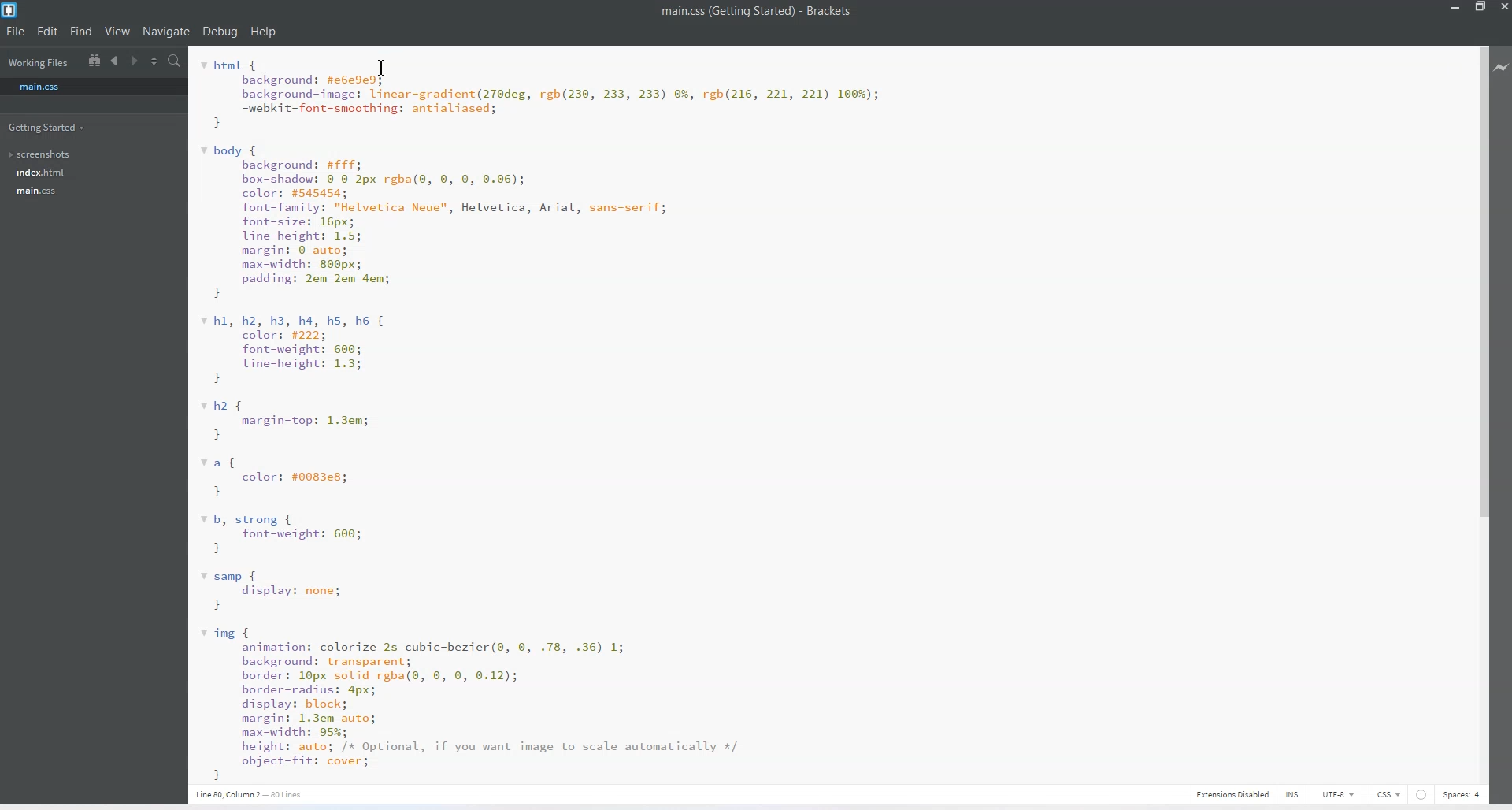 The width and height of the screenshot is (1512, 810). What do you see at coordinates (757, 12) in the screenshot?
I see `Text 1` at bounding box center [757, 12].